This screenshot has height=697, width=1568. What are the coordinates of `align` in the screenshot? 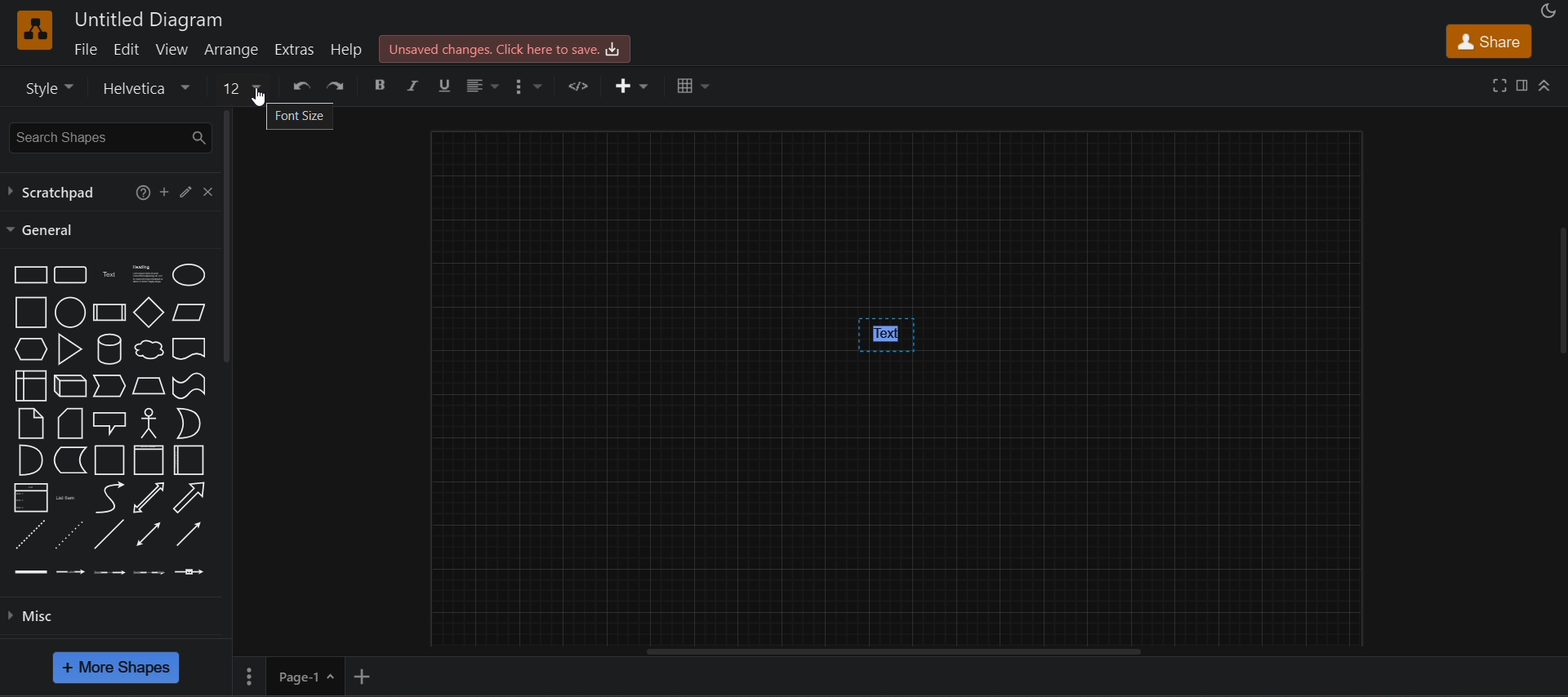 It's located at (483, 87).